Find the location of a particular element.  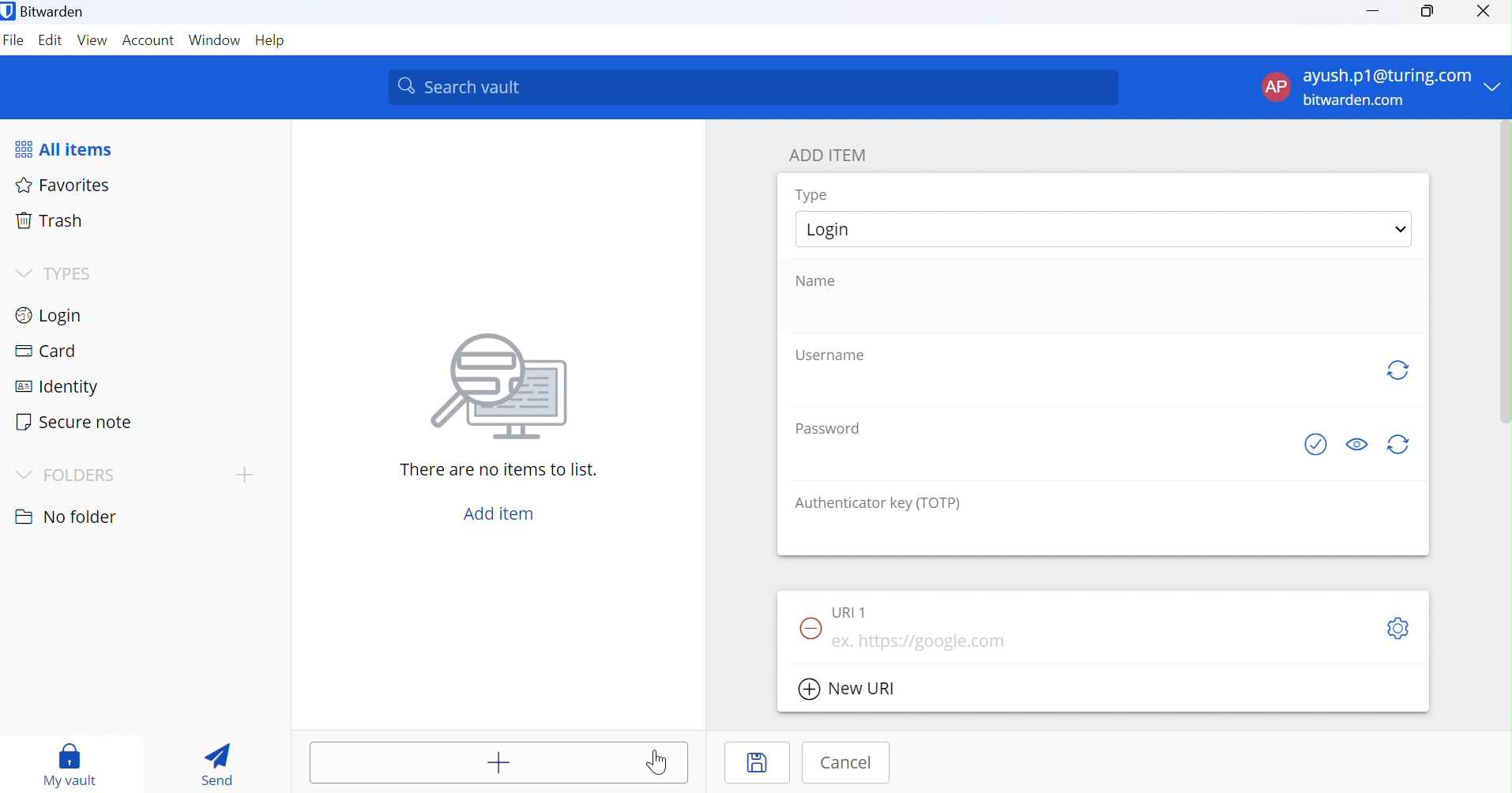

Remove is located at coordinates (810, 630).